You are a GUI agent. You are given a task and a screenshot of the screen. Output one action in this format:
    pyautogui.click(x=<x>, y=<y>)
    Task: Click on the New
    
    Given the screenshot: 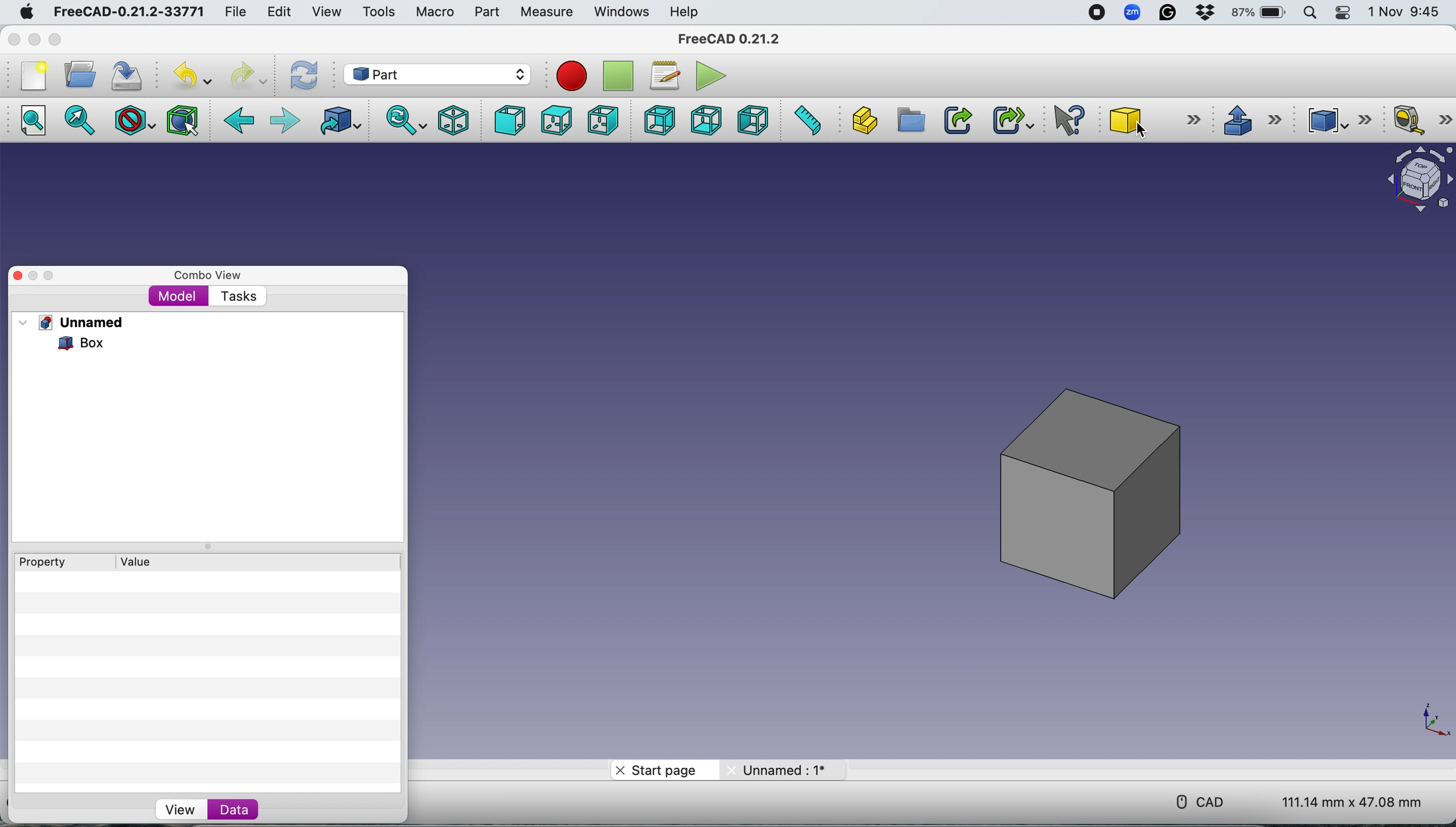 What is the action you would take?
    pyautogui.click(x=32, y=76)
    